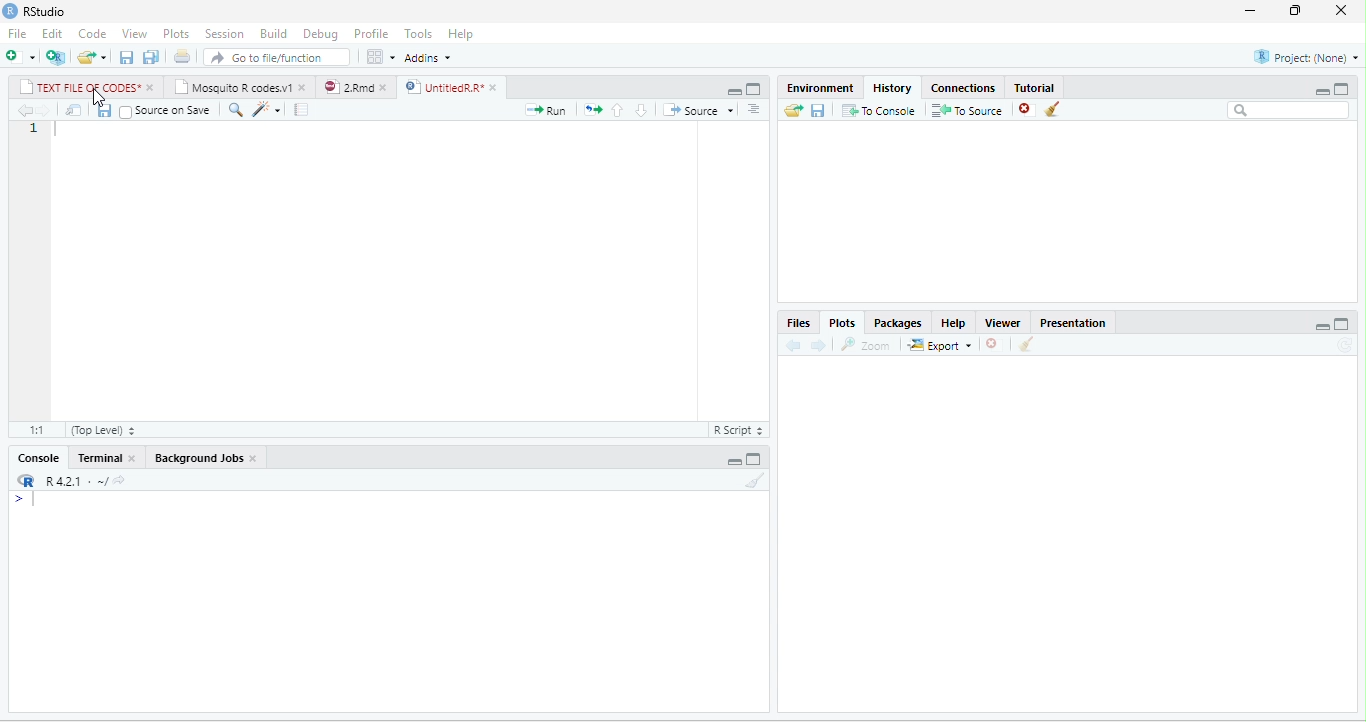 This screenshot has width=1366, height=722. Describe the element at coordinates (963, 88) in the screenshot. I see `Connections` at that location.